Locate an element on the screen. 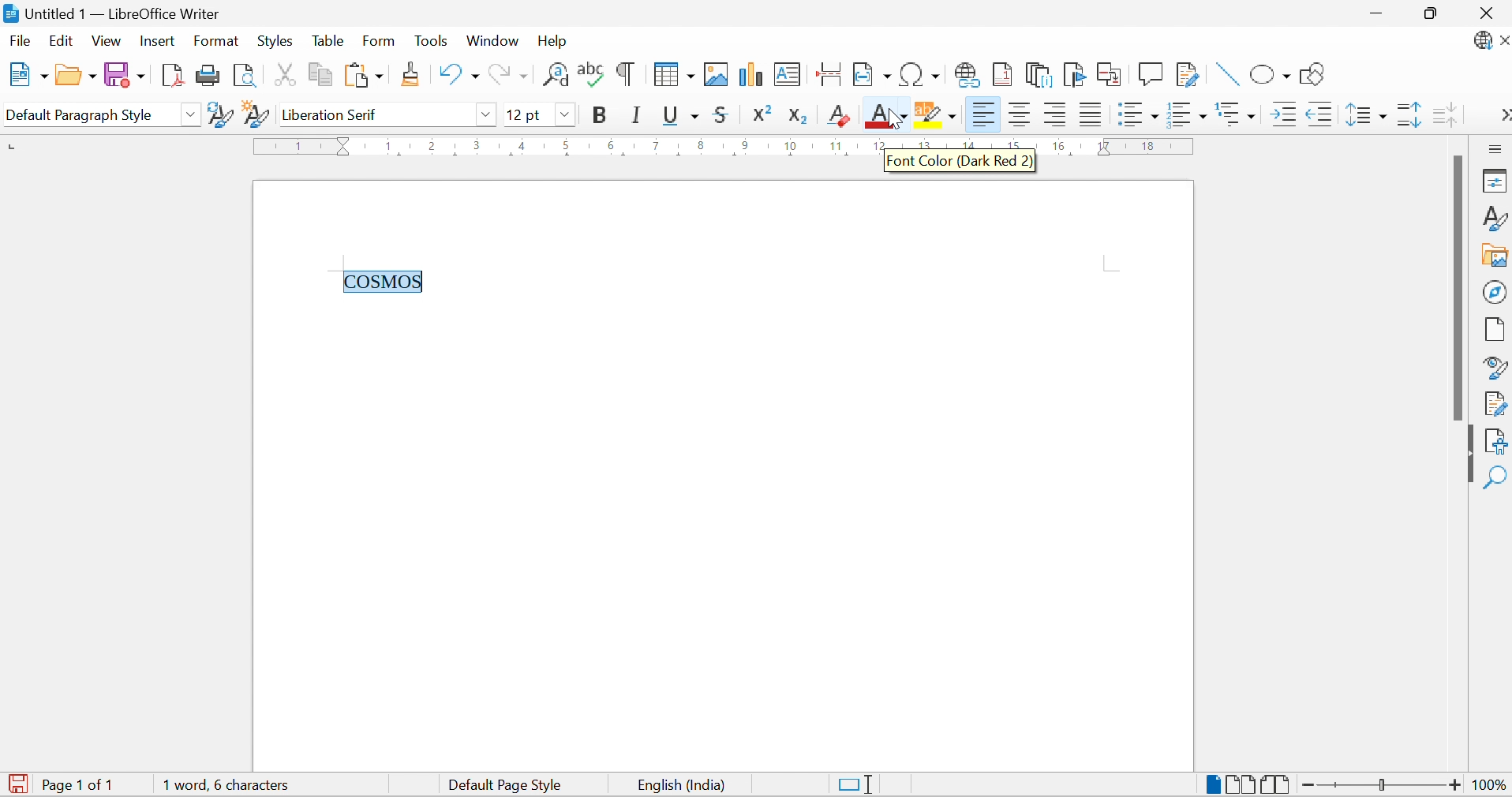  Show Track Changes Functions is located at coordinates (1190, 77).